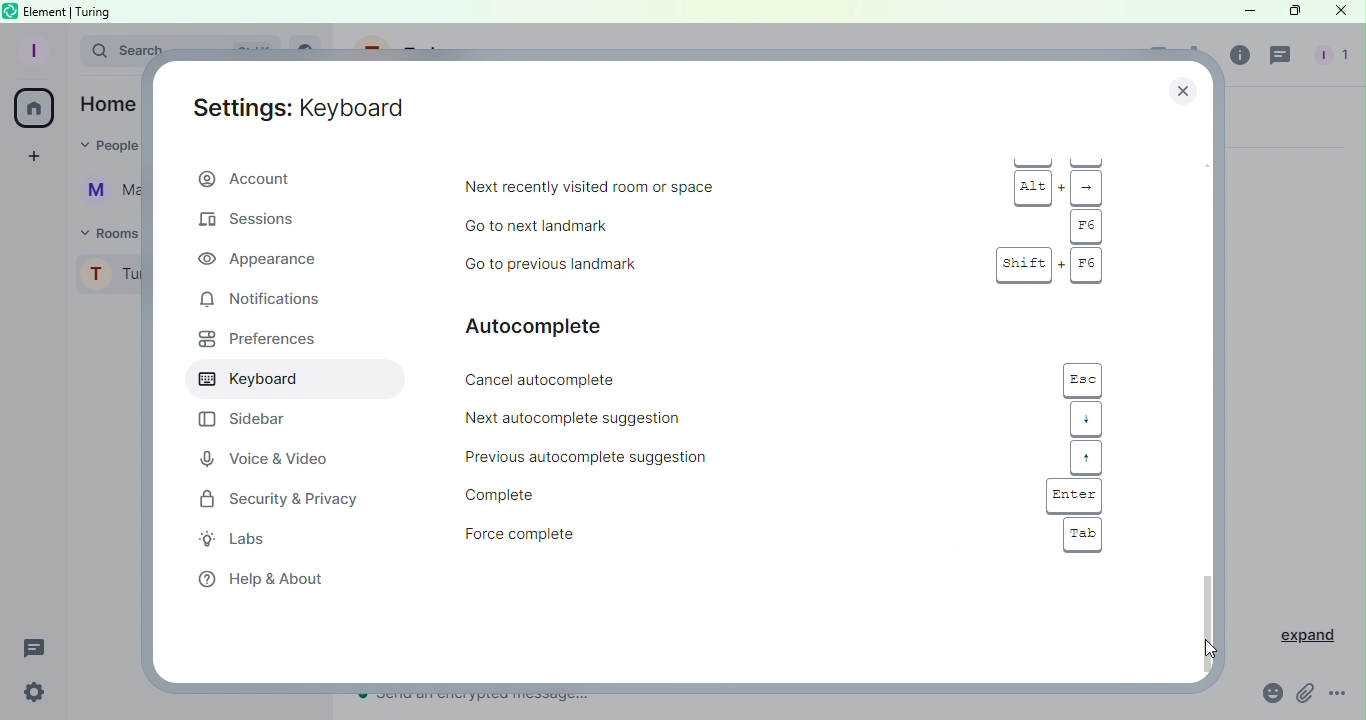  What do you see at coordinates (272, 498) in the screenshot?
I see `Security and privacy` at bounding box center [272, 498].